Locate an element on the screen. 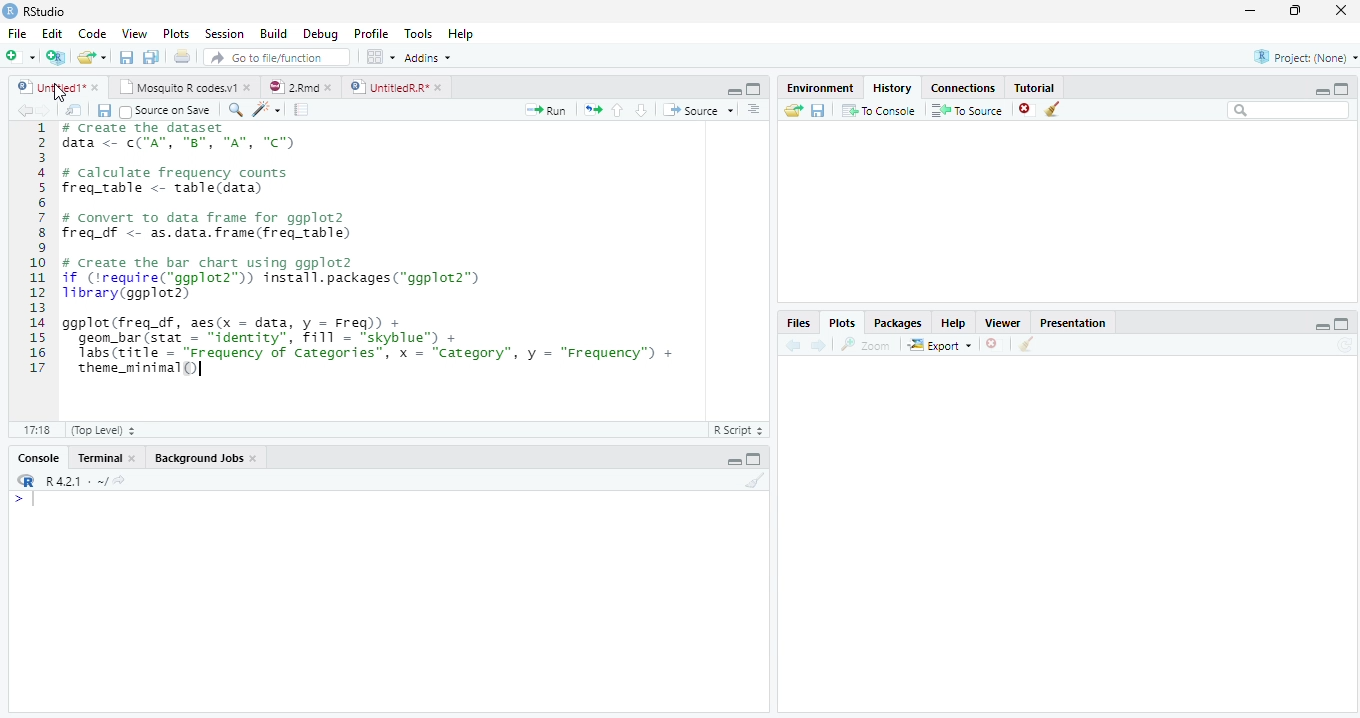 The width and height of the screenshot is (1360, 718). Clear Console is located at coordinates (753, 482).